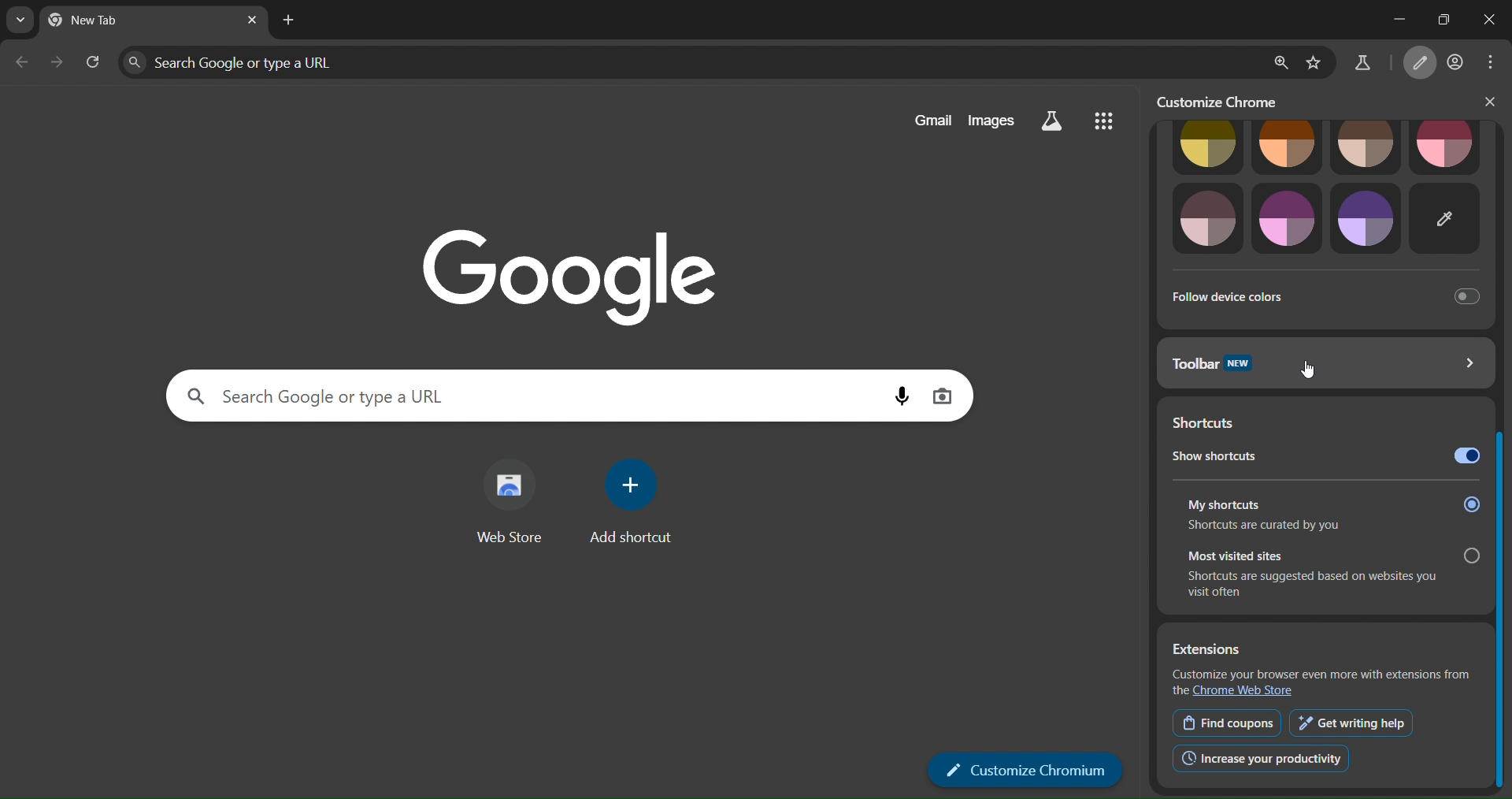 The width and height of the screenshot is (1512, 799). Describe the element at coordinates (1490, 102) in the screenshot. I see `close` at that location.